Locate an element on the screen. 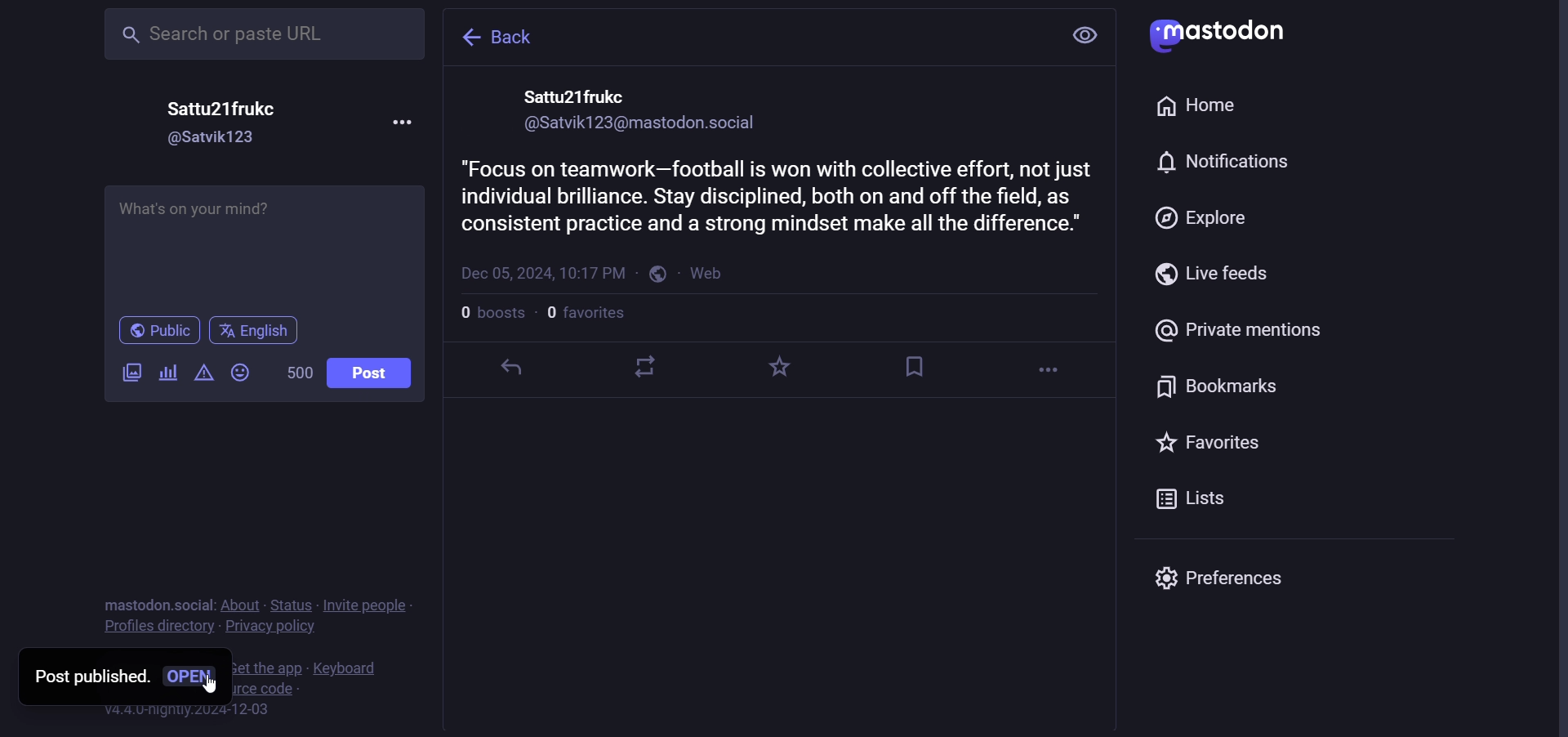  live feeds is located at coordinates (1213, 274).